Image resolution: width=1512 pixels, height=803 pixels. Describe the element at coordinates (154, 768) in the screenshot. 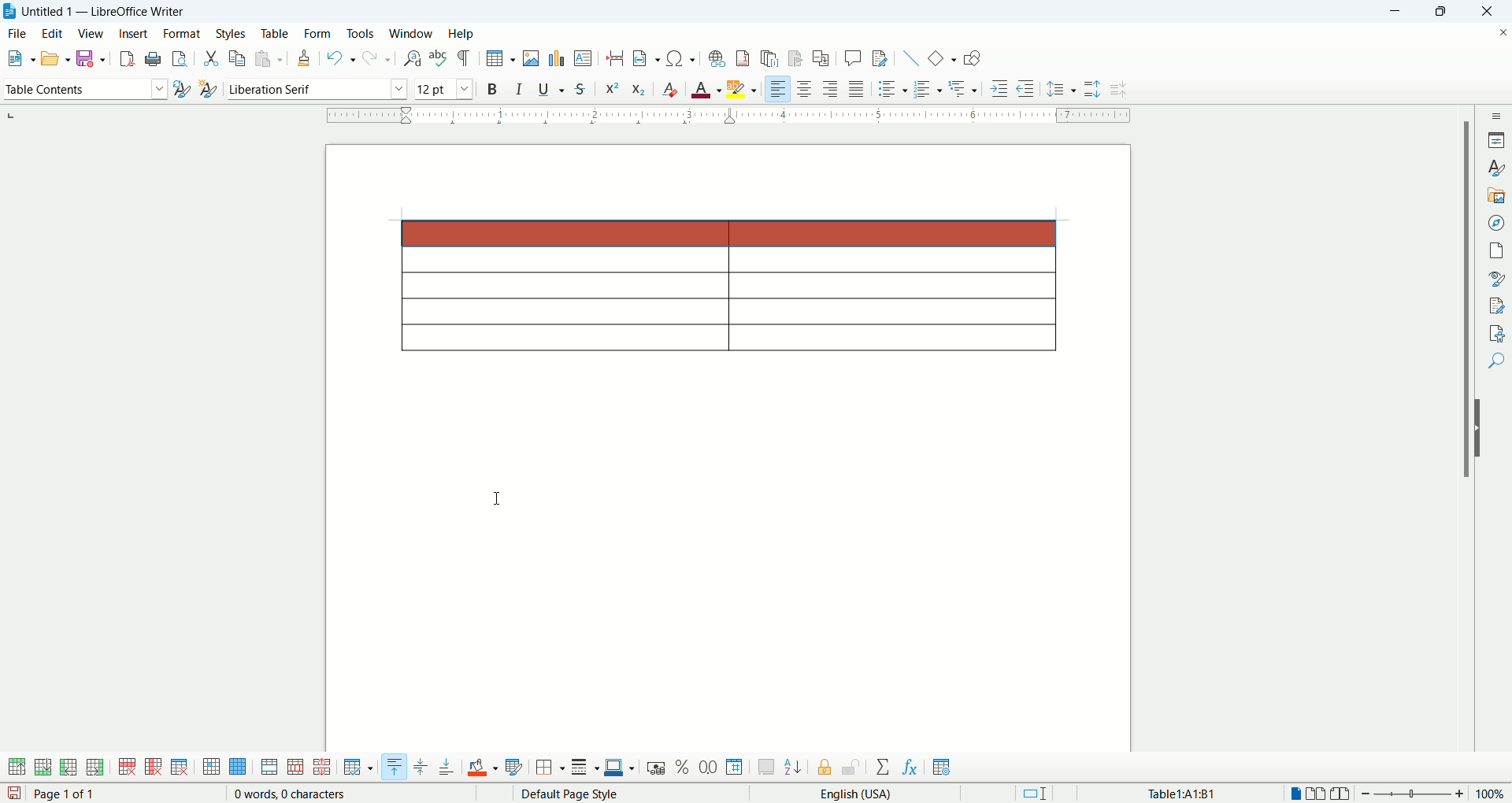

I see `delete selected column` at that location.